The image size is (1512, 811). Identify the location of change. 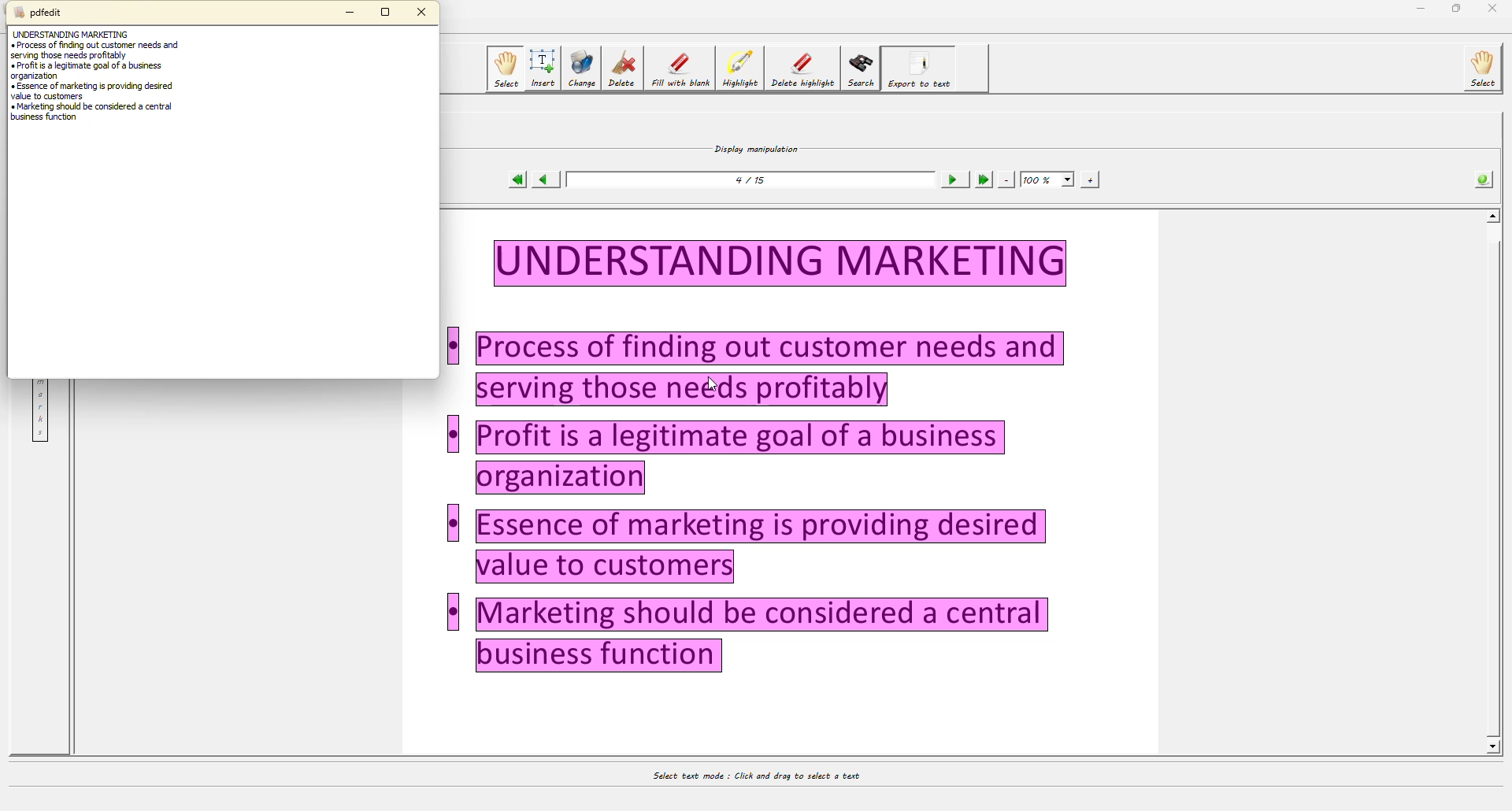
(580, 68).